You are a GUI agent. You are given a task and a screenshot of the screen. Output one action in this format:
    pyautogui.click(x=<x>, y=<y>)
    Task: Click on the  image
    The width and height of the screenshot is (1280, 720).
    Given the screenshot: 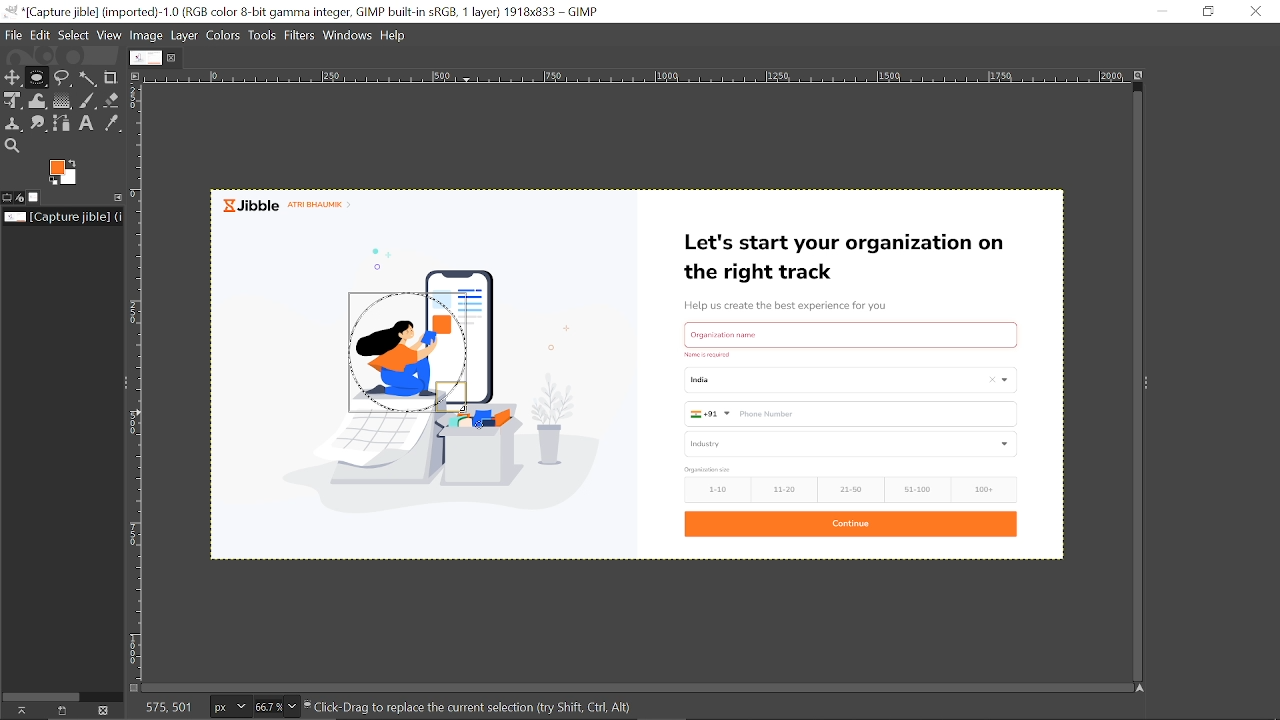 What is the action you would take?
    pyautogui.click(x=787, y=372)
    